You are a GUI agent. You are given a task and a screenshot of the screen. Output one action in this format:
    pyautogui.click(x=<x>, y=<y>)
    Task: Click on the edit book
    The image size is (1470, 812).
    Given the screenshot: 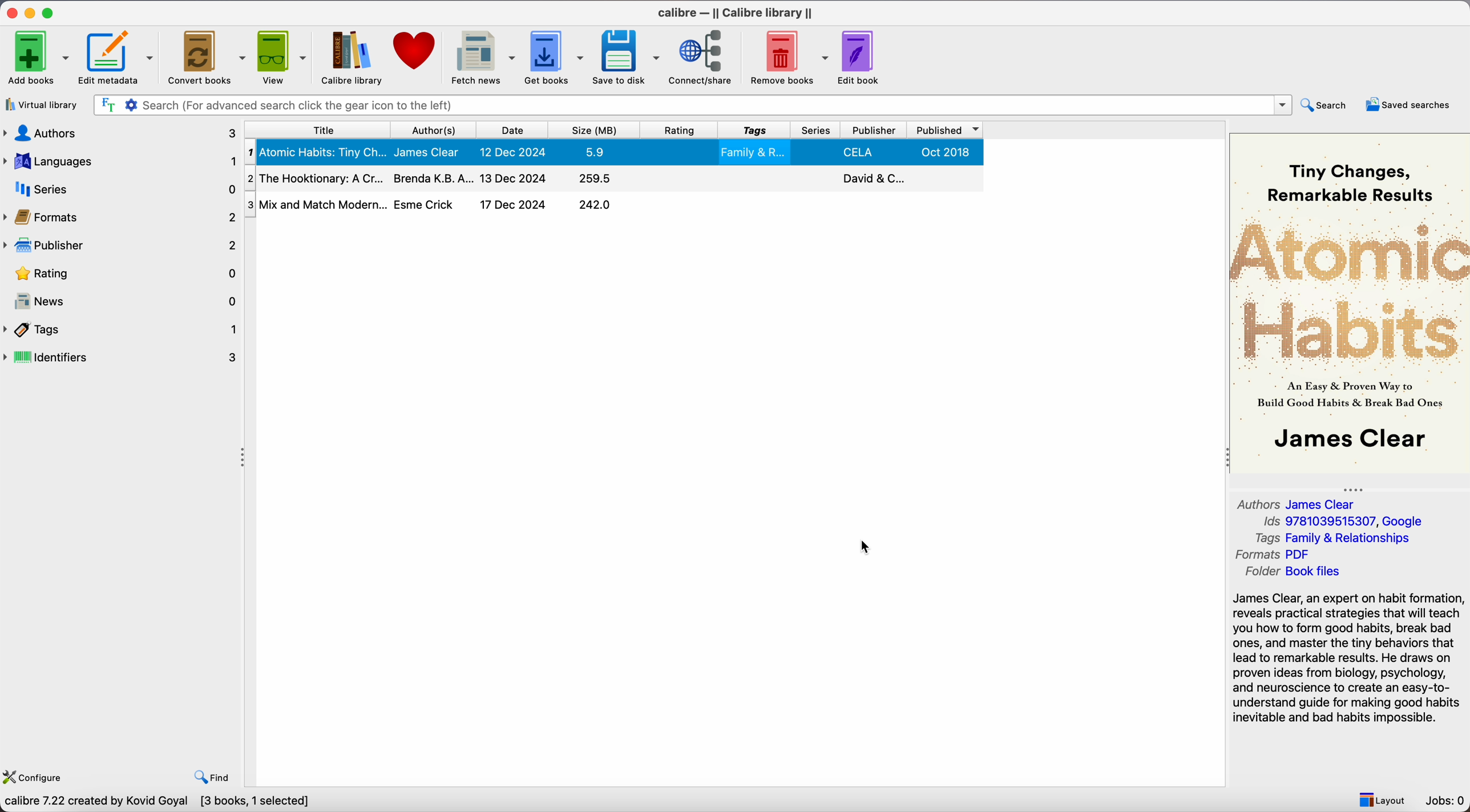 What is the action you would take?
    pyautogui.click(x=862, y=56)
    